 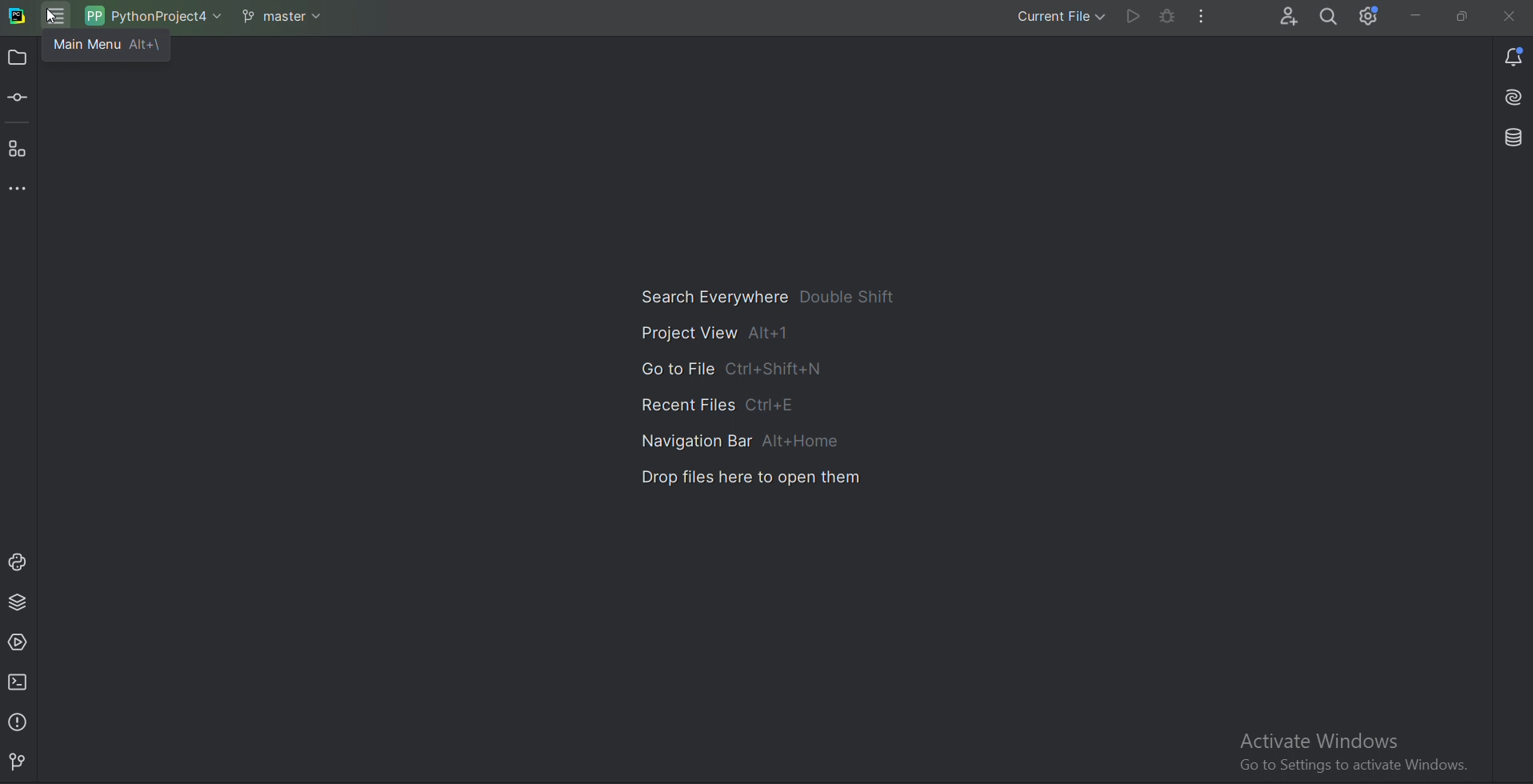 What do you see at coordinates (150, 18) in the screenshot?
I see `Project name` at bounding box center [150, 18].